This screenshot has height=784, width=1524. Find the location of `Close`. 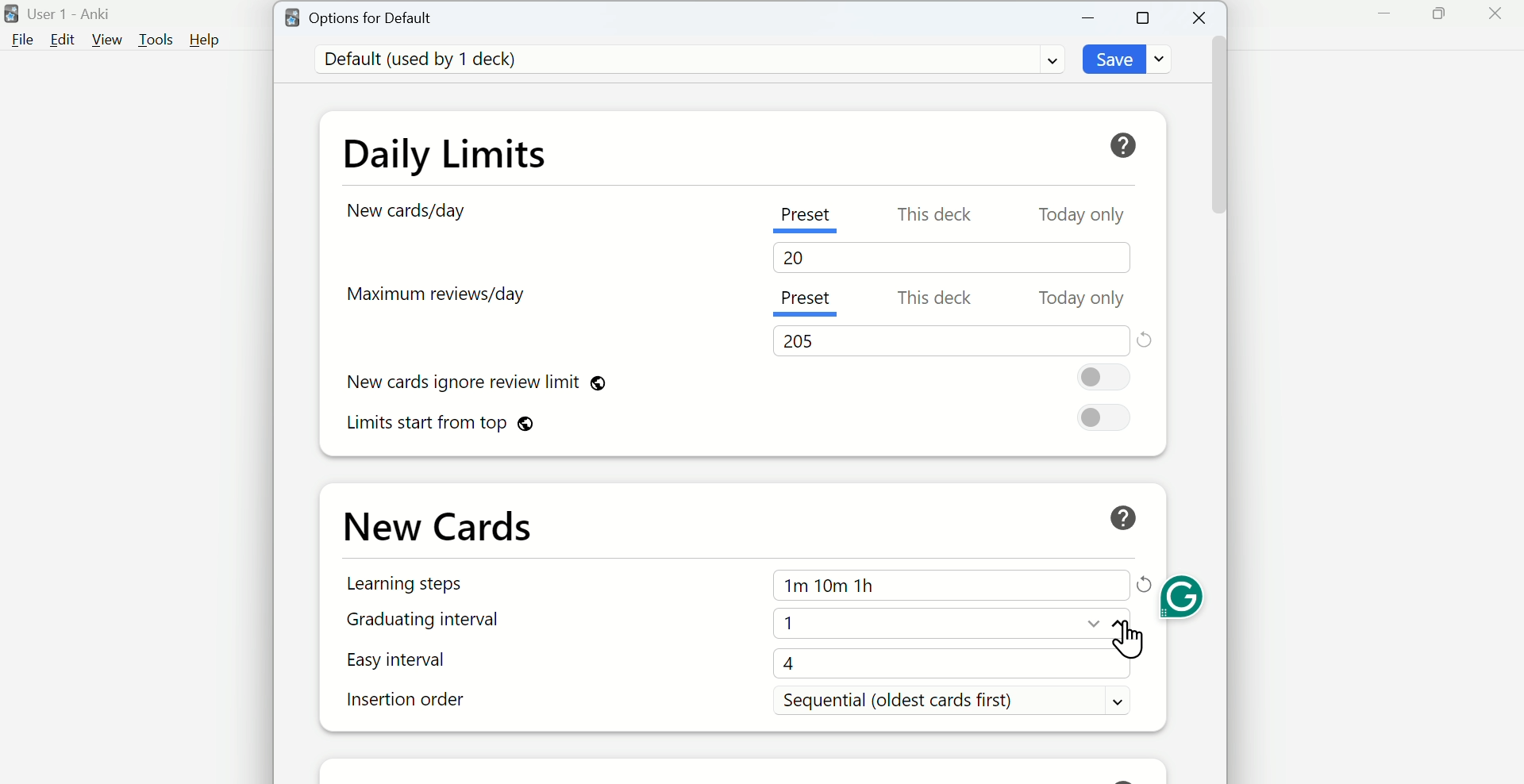

Close is located at coordinates (1199, 16).